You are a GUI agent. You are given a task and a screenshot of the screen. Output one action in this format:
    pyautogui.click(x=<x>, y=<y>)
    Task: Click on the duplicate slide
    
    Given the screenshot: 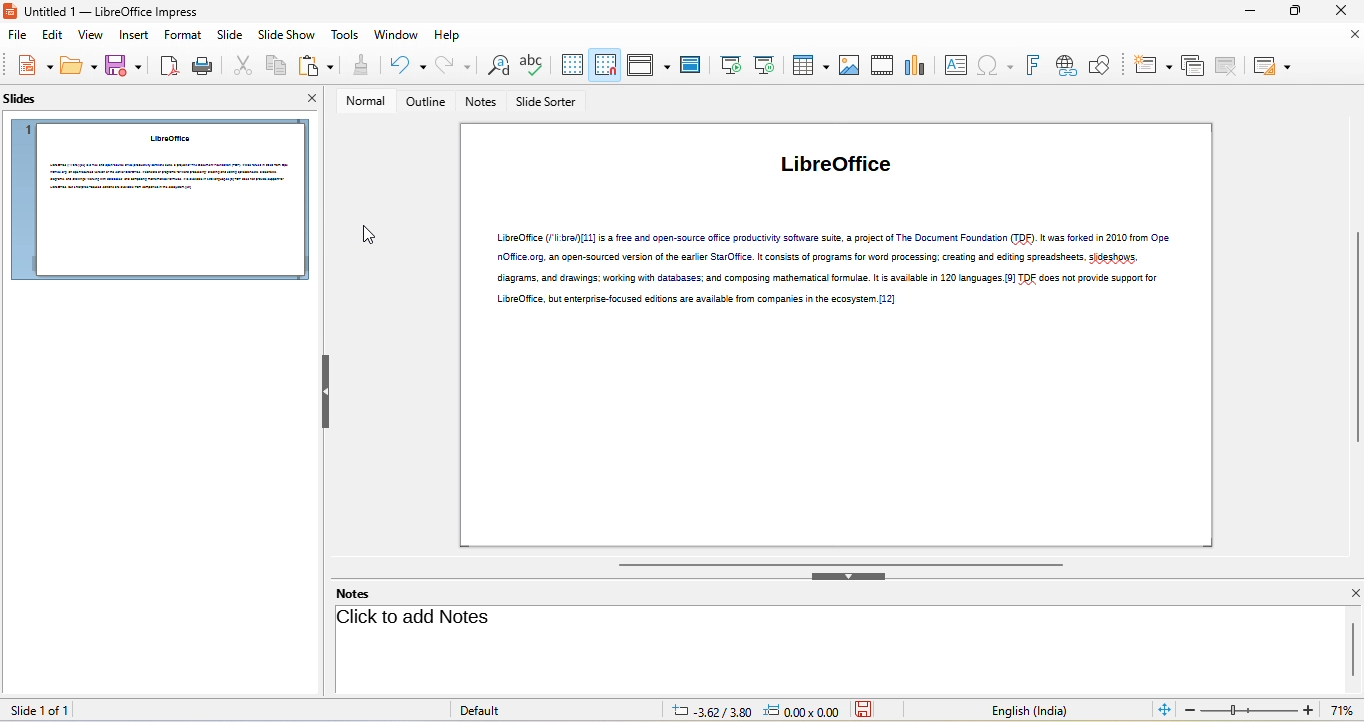 What is the action you would take?
    pyautogui.click(x=1195, y=66)
    